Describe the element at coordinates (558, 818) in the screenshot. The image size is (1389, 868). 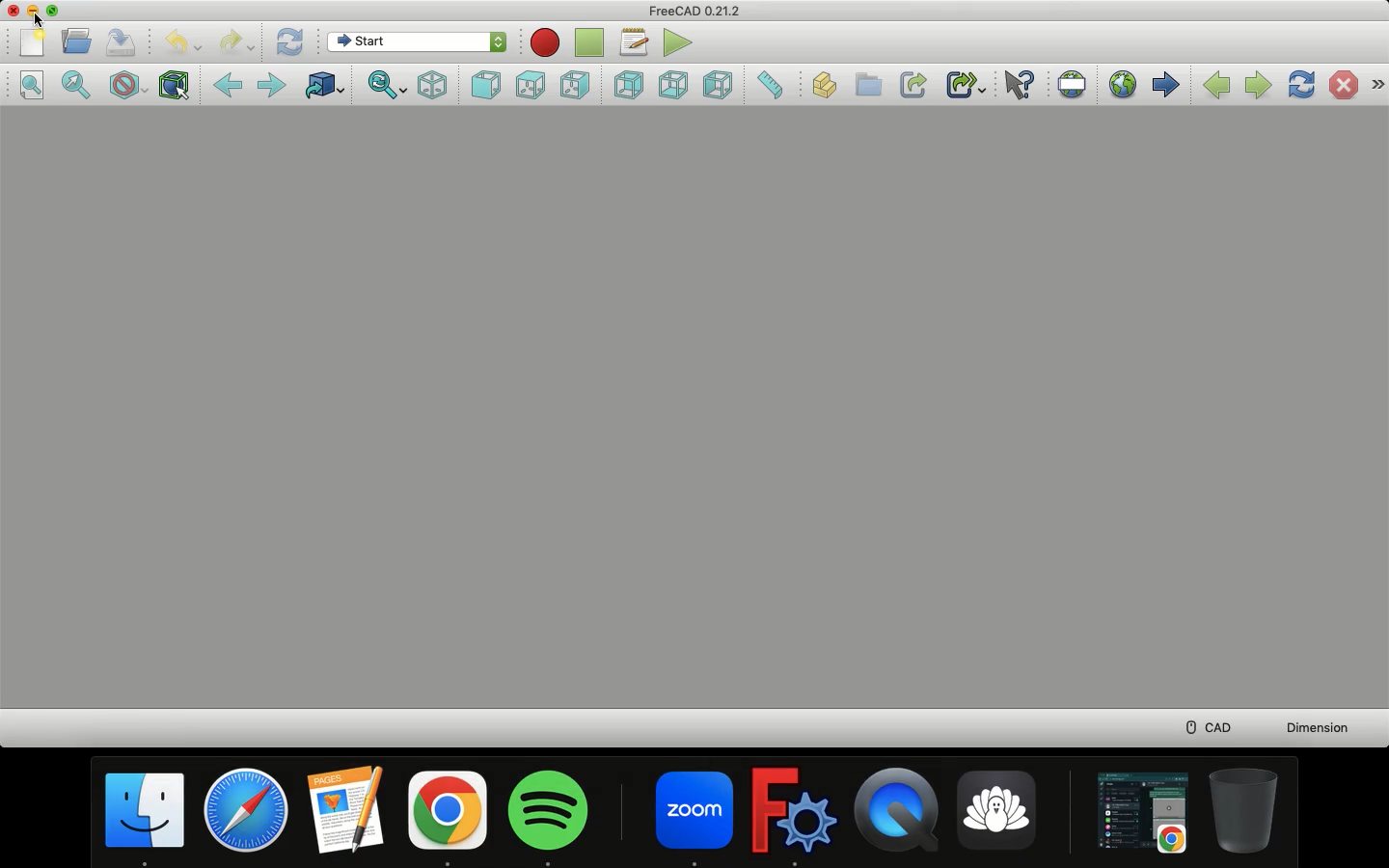
I see `Spotify` at that location.